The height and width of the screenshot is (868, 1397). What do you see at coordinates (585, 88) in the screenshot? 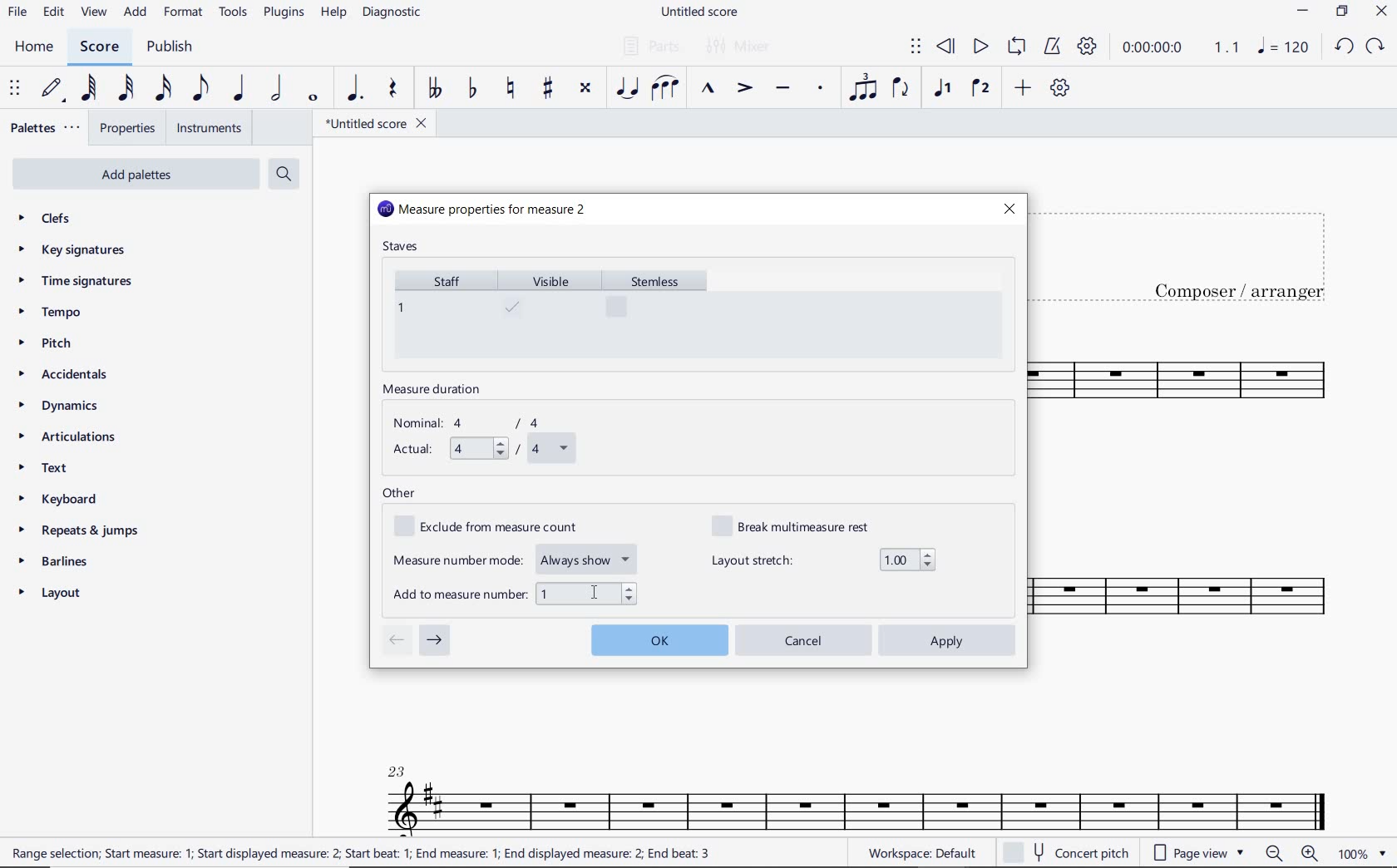
I see `TOGGLE DOUBLE-SHARP` at bounding box center [585, 88].